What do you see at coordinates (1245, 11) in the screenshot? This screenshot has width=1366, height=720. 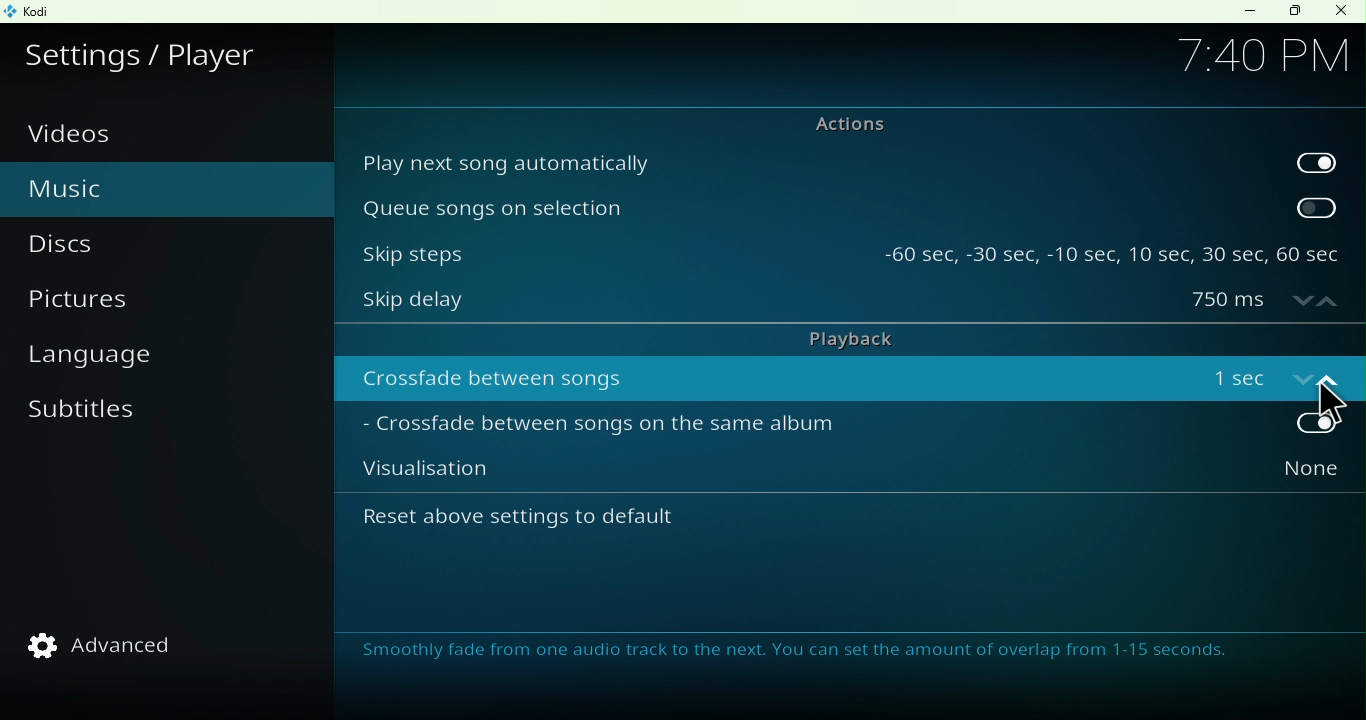 I see `Minimize` at bounding box center [1245, 11].